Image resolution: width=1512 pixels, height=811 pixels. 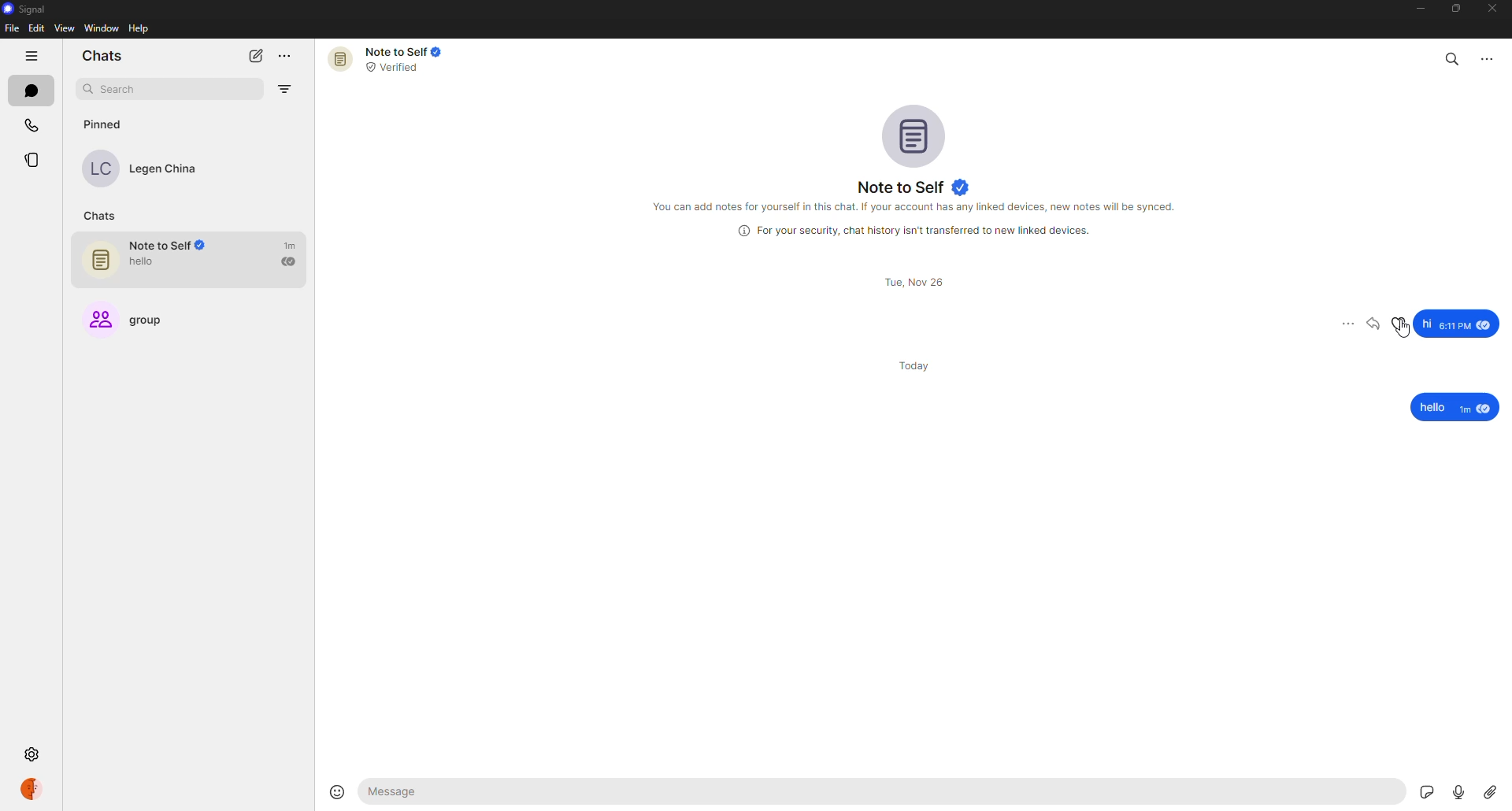 I want to click on info, so click(x=917, y=230).